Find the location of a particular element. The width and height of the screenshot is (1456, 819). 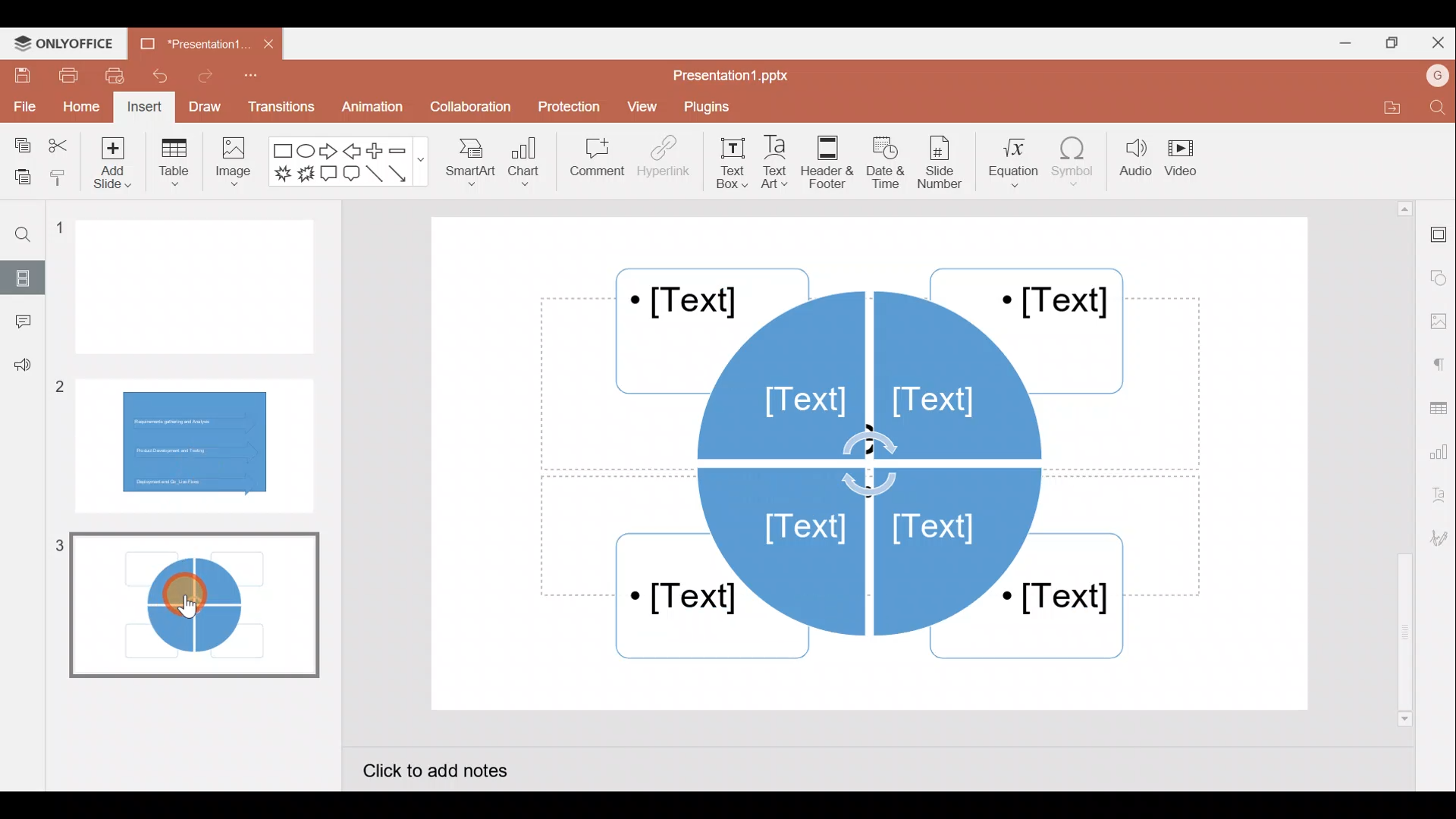

Home is located at coordinates (80, 108).